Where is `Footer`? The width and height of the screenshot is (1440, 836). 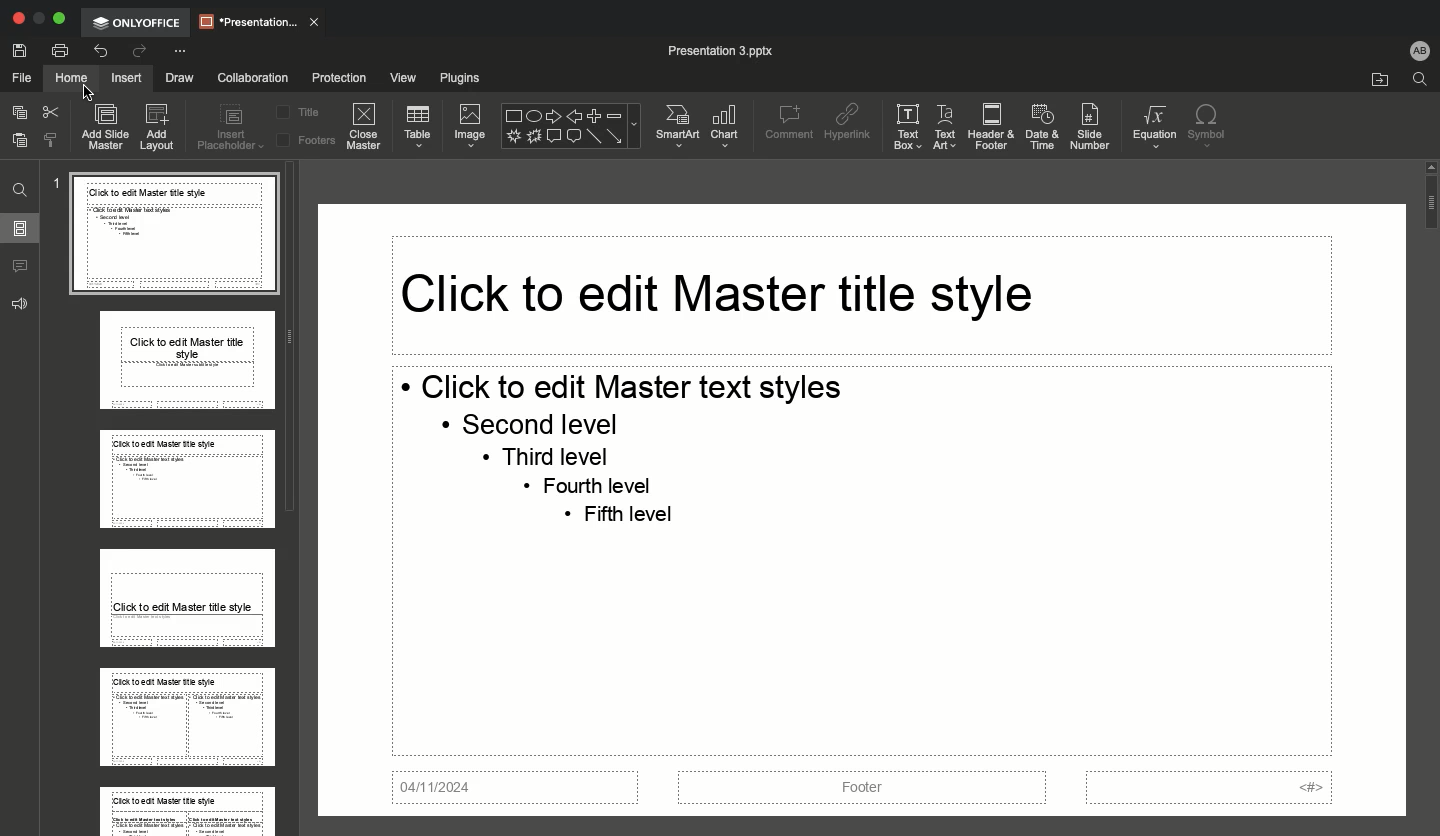
Footer is located at coordinates (860, 789).